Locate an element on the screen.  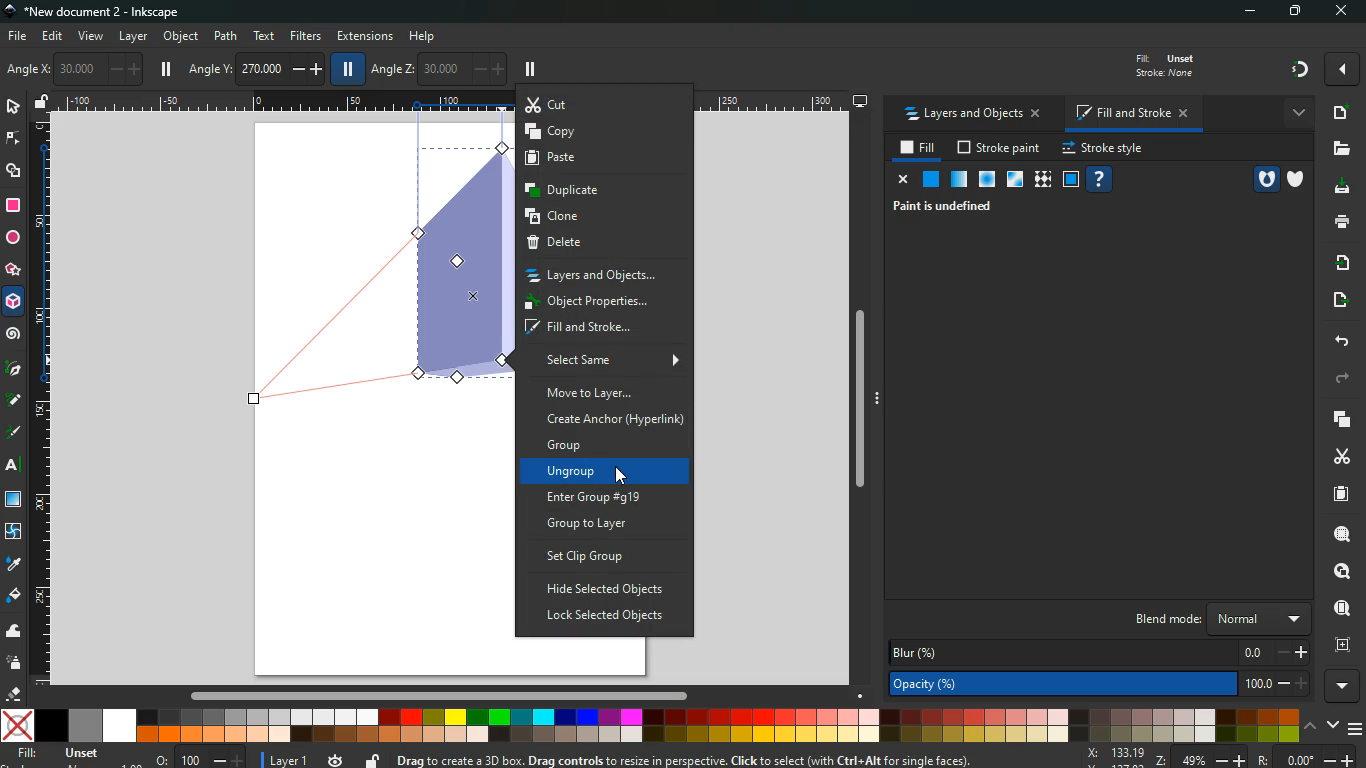
help is located at coordinates (429, 36).